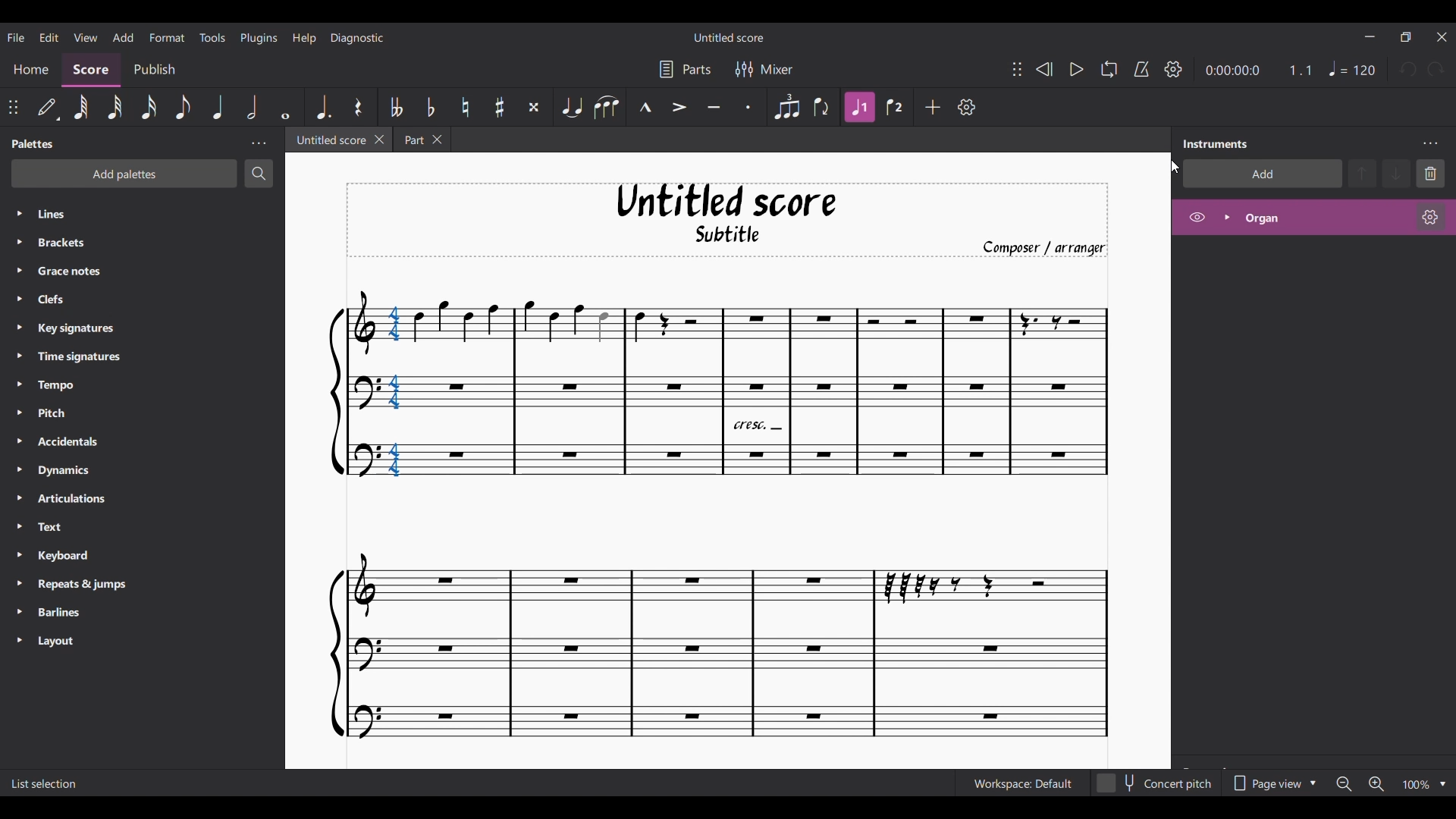 The image size is (1456, 819). What do you see at coordinates (1154, 783) in the screenshot?
I see `Toggle for Concert pitch ` at bounding box center [1154, 783].